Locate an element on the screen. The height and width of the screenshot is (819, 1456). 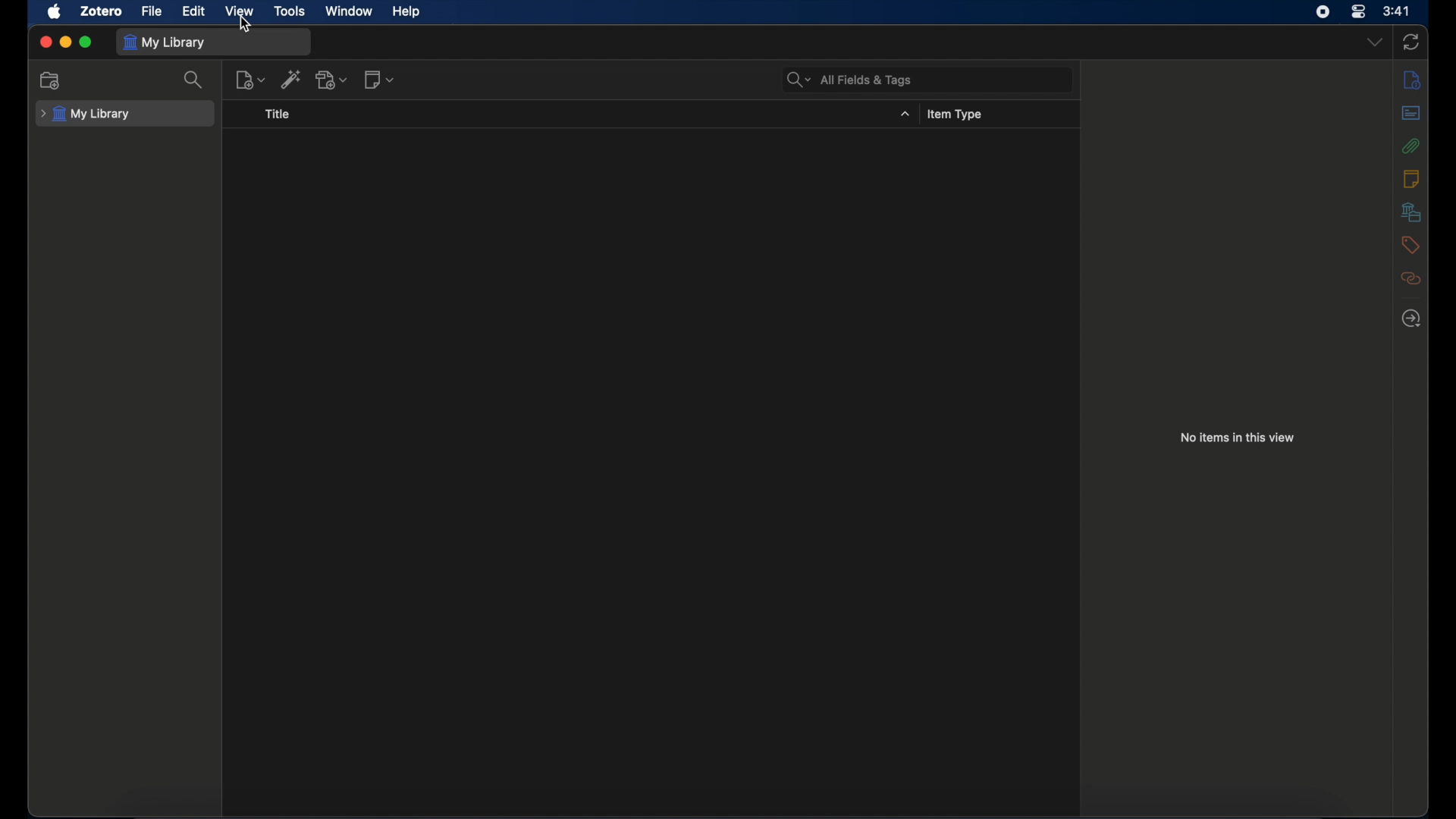
file is located at coordinates (152, 12).